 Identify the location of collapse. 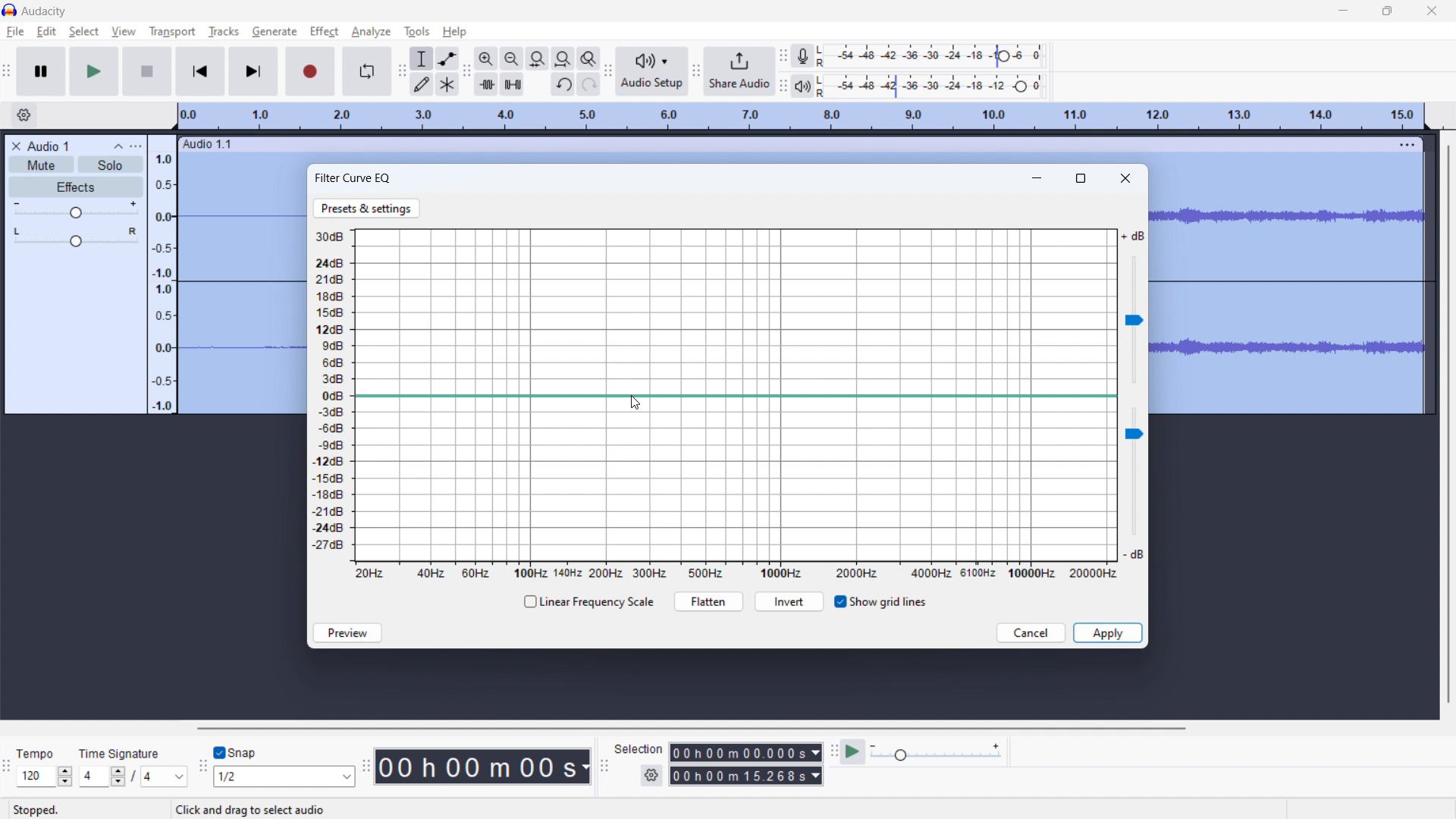
(119, 147).